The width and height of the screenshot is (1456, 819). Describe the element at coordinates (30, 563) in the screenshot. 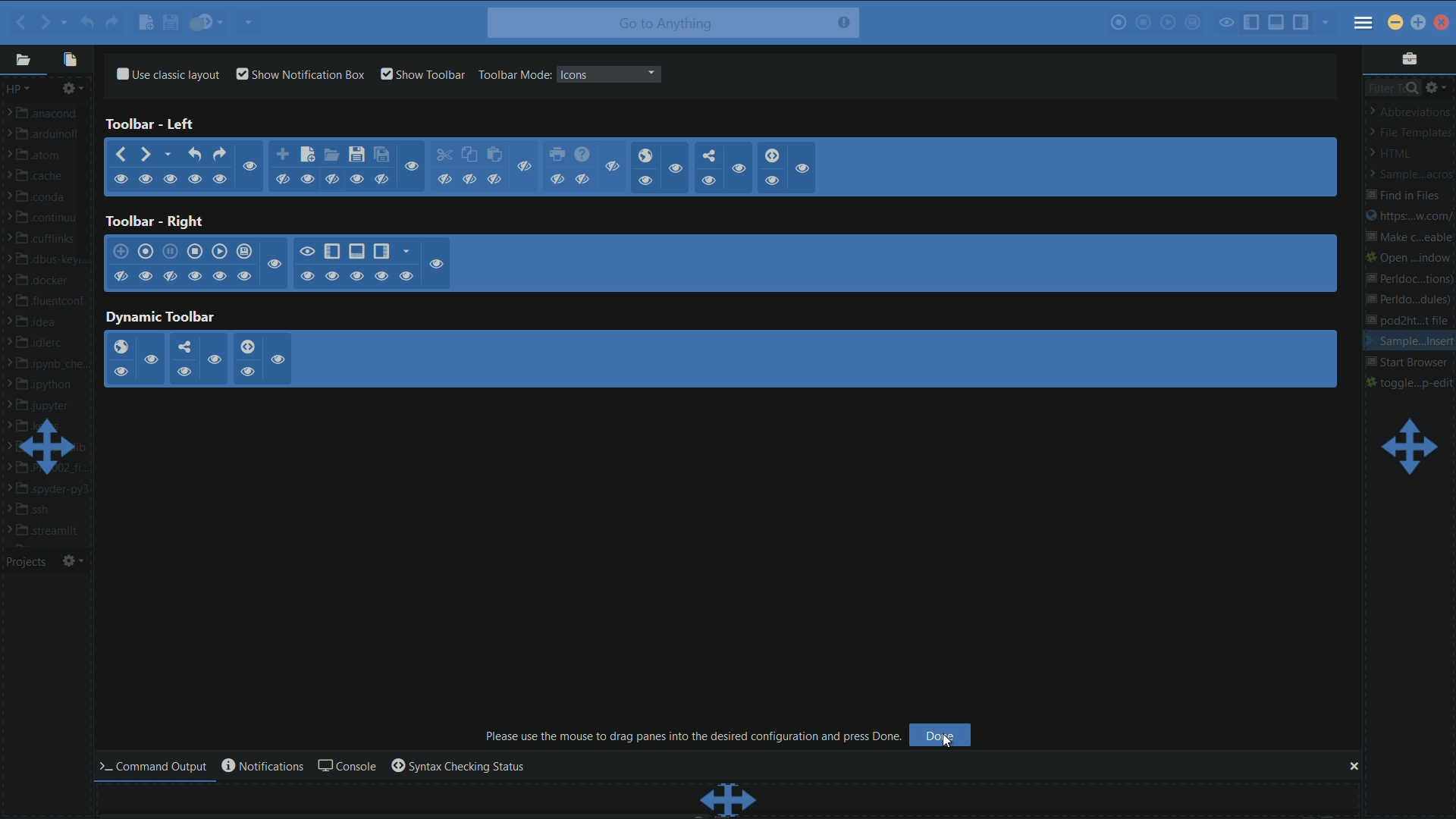

I see `Projects` at that location.